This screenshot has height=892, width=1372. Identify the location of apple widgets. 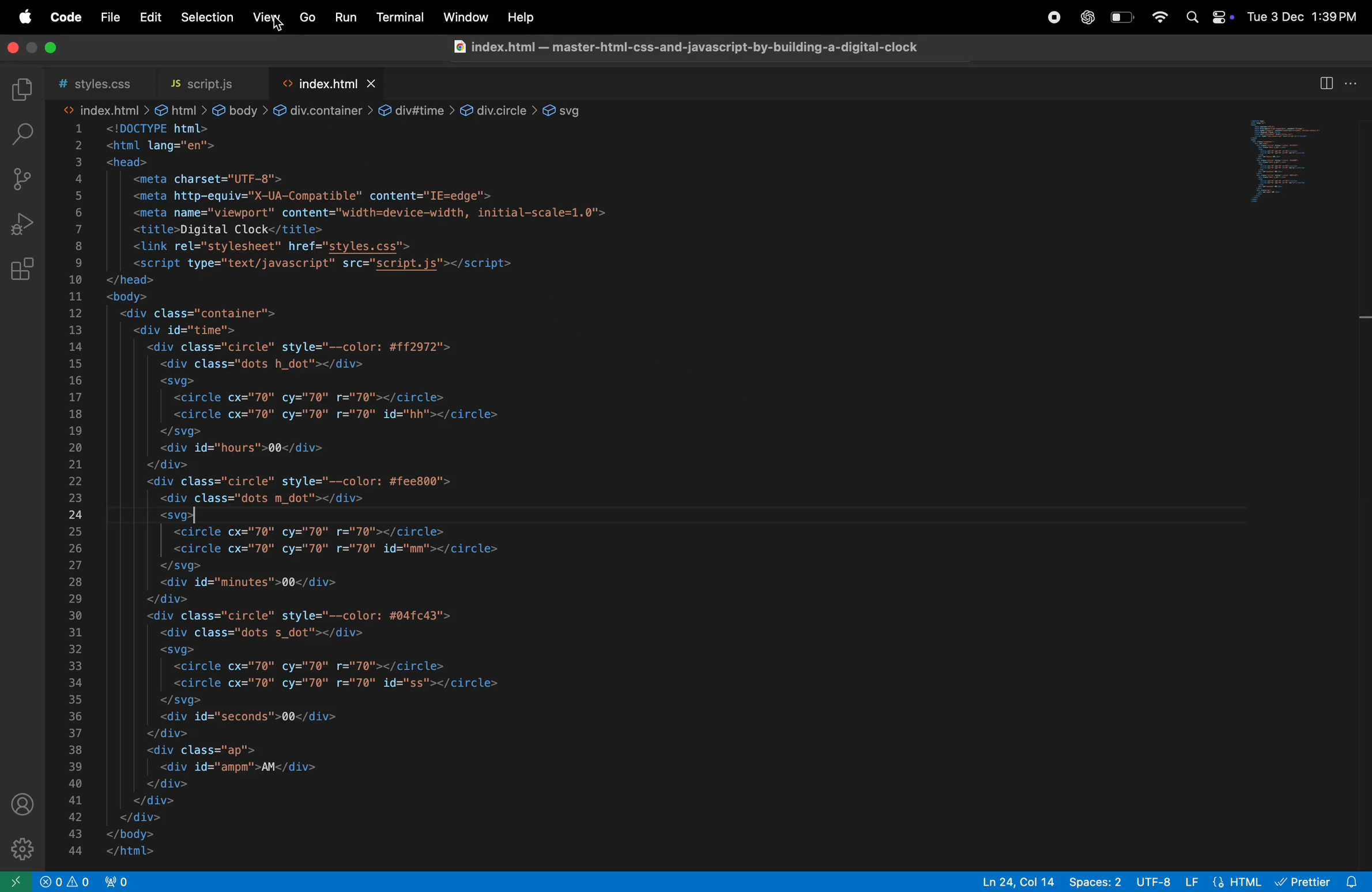
(1207, 16).